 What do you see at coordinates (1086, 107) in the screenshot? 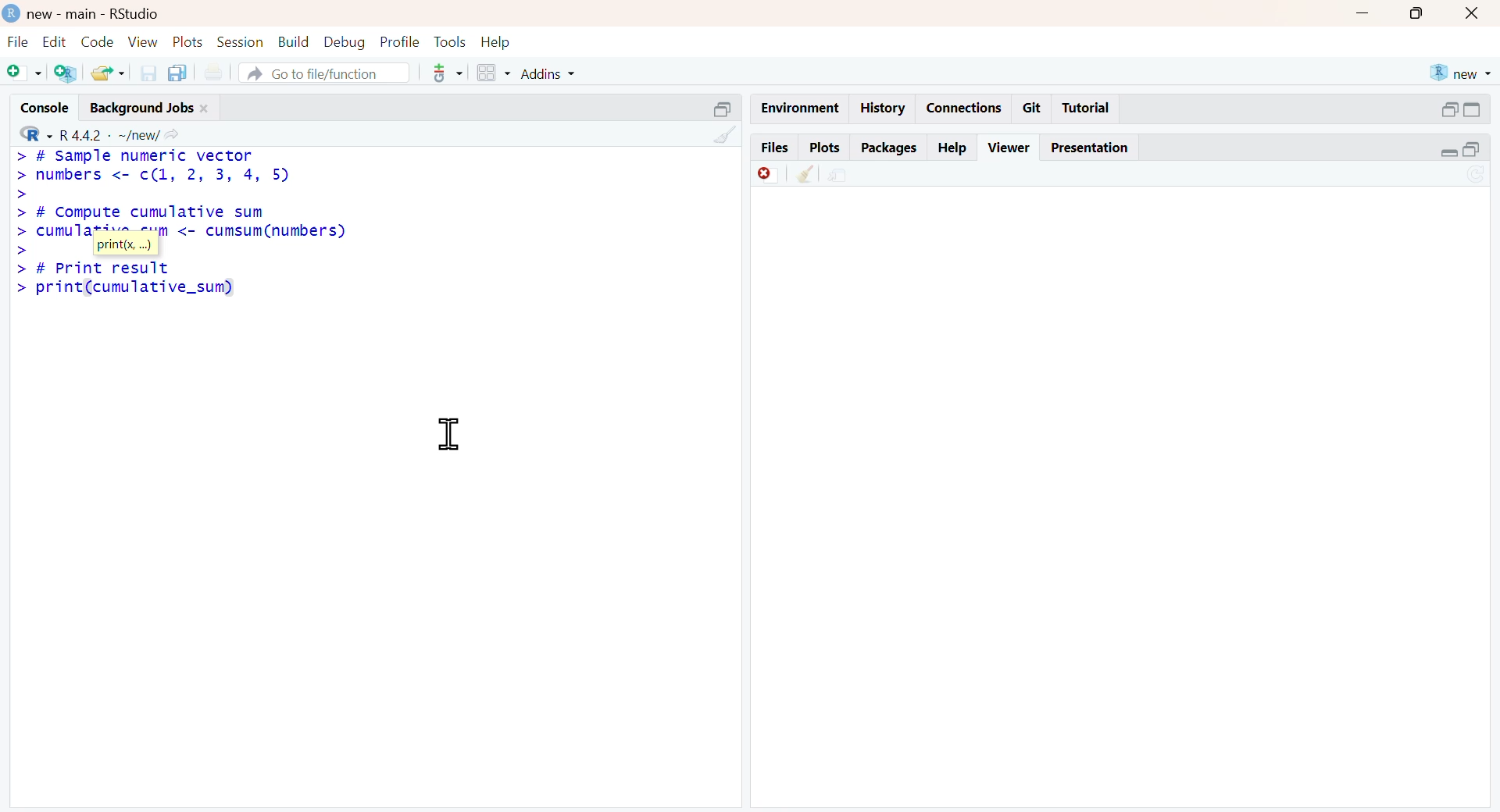
I see `Tutorial` at bounding box center [1086, 107].